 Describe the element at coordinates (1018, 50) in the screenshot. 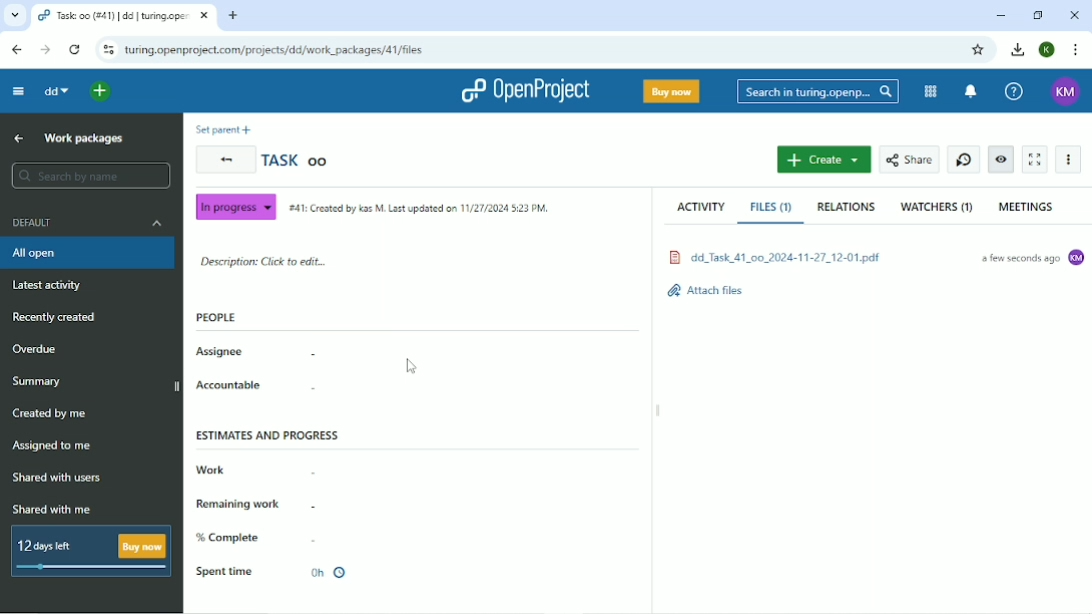

I see `Download` at that location.